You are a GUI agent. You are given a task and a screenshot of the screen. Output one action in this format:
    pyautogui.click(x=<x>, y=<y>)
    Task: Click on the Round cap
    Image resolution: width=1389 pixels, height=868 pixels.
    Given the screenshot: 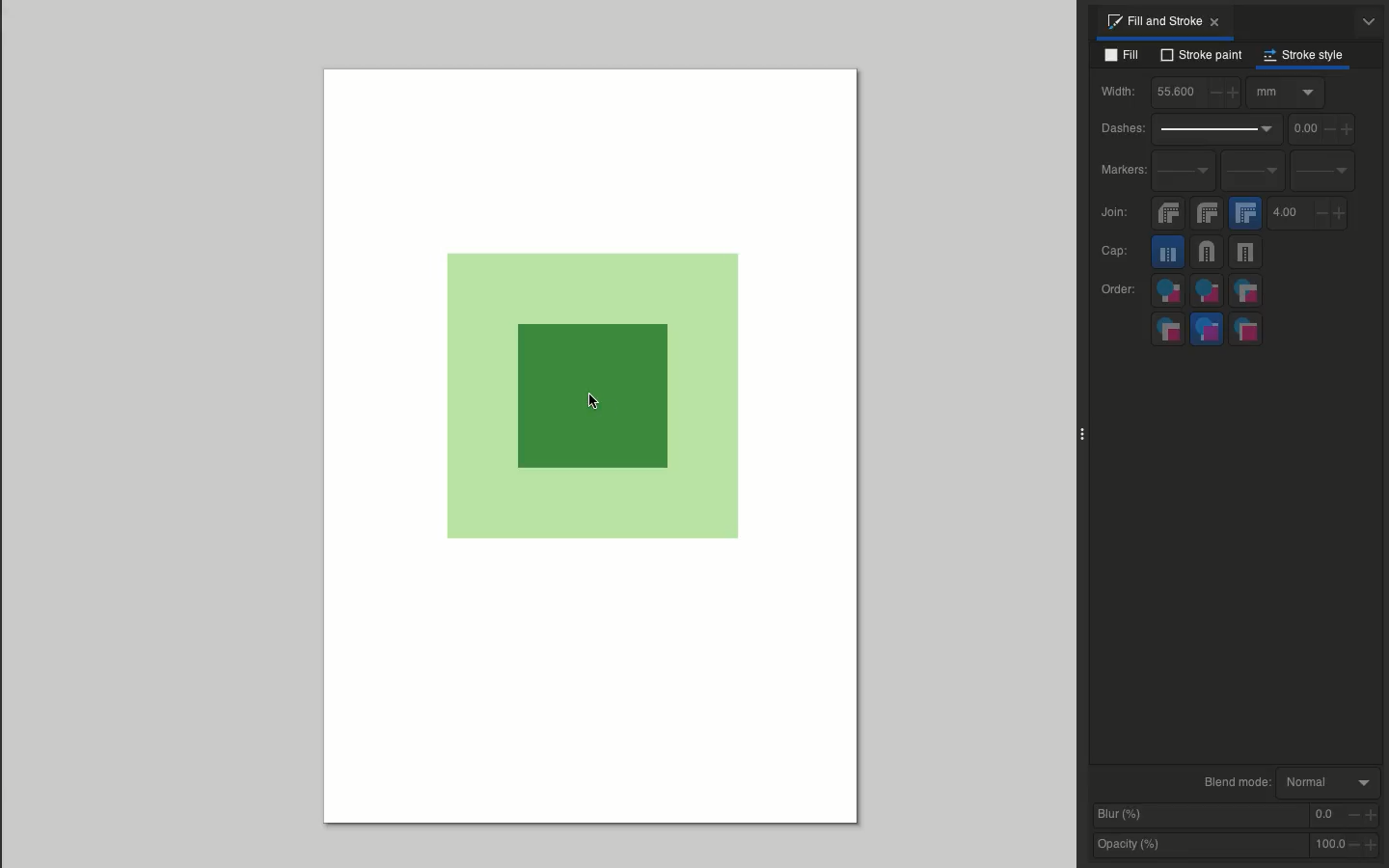 What is the action you would take?
    pyautogui.click(x=1208, y=254)
    